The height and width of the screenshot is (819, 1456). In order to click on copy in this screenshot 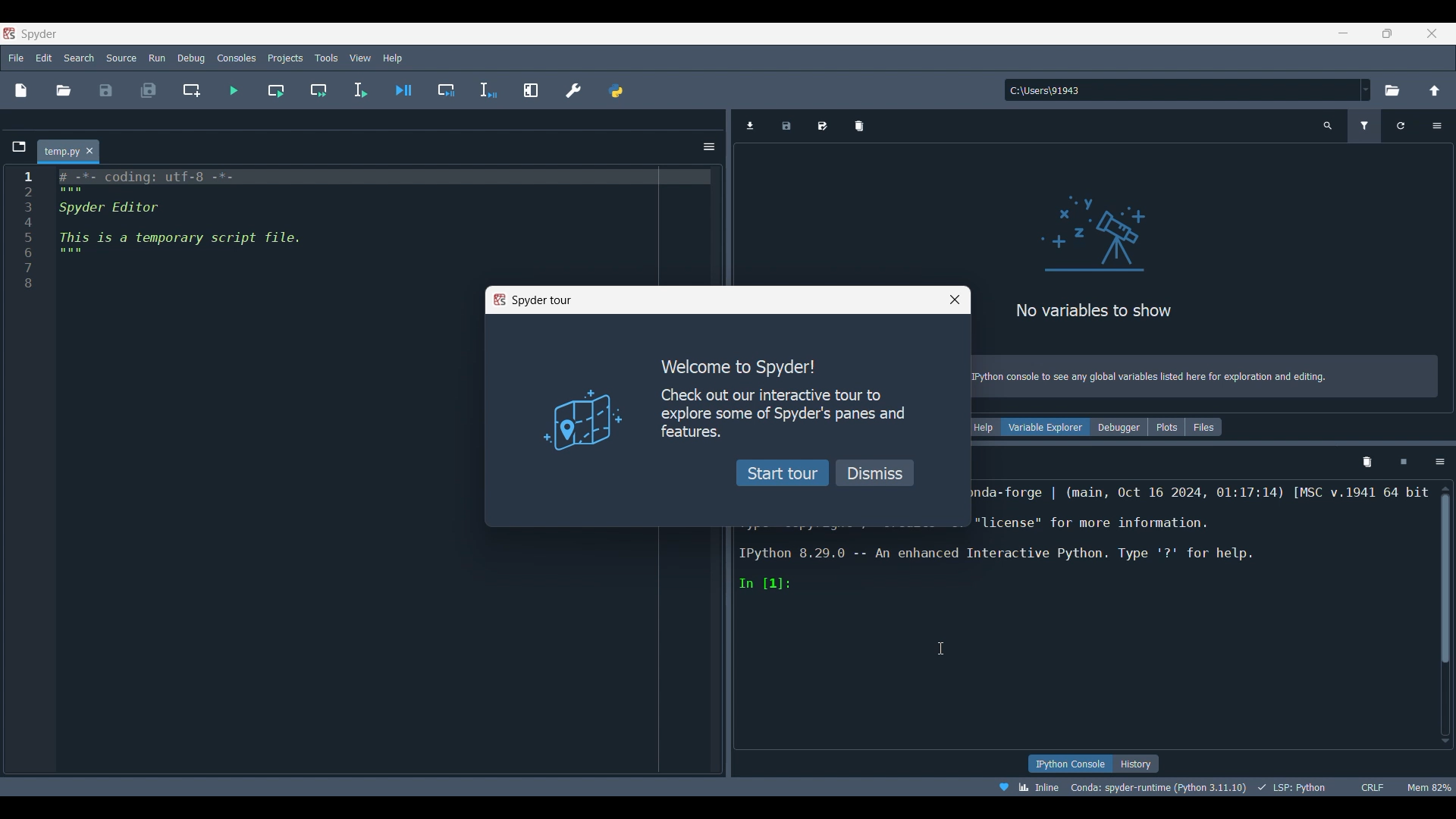, I will do `click(861, 125)`.